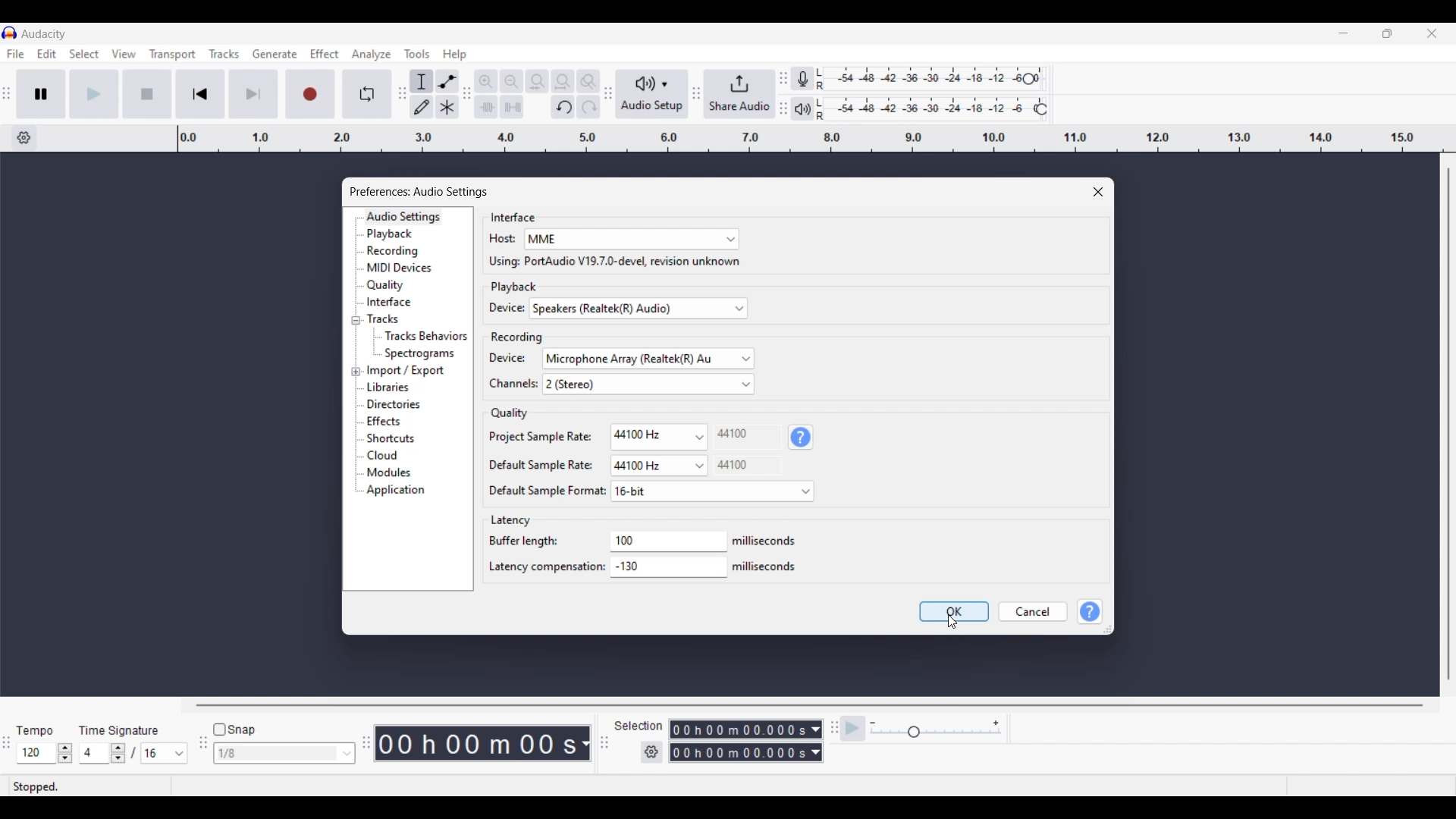 Image resolution: width=1456 pixels, height=819 pixels. Describe the element at coordinates (954, 612) in the screenshot. I see `Save inputs made` at that location.